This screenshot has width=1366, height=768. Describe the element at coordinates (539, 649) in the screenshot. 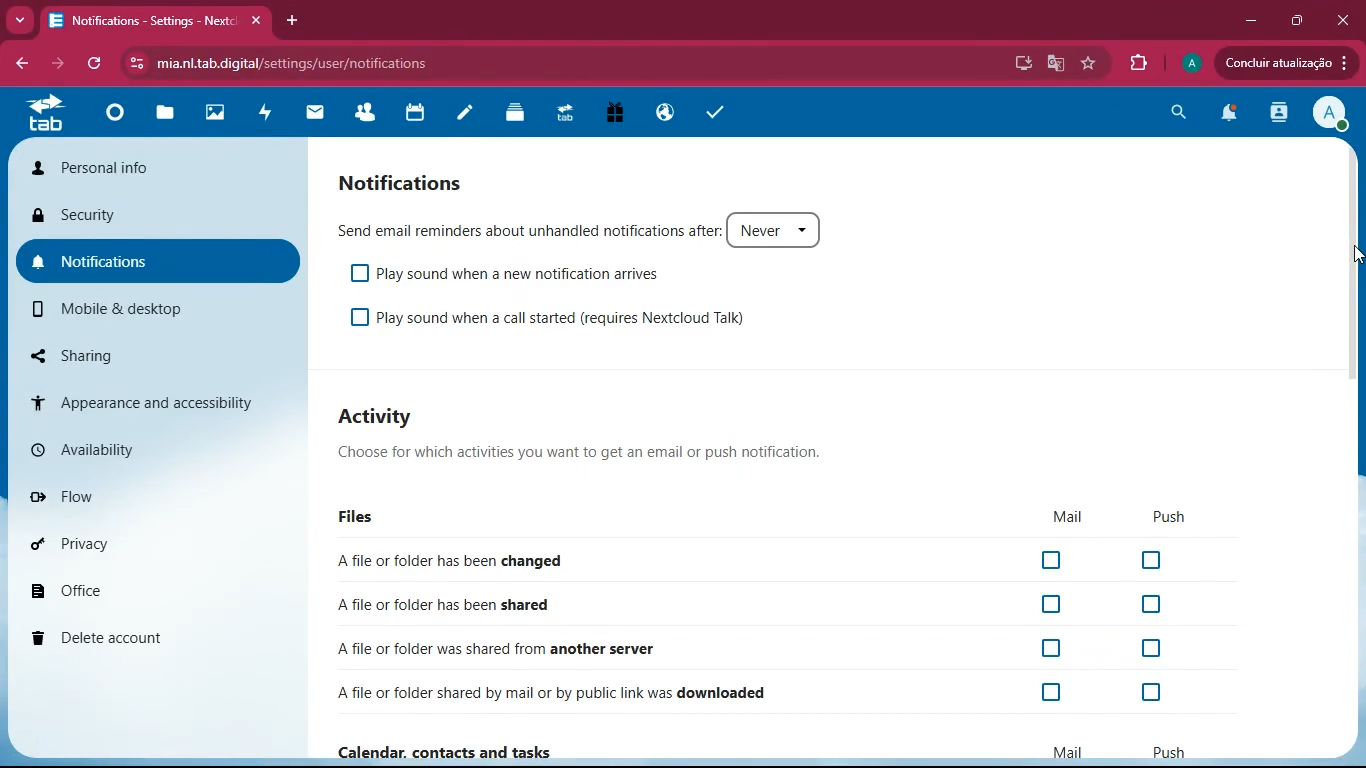

I see `file shared from another server` at that location.